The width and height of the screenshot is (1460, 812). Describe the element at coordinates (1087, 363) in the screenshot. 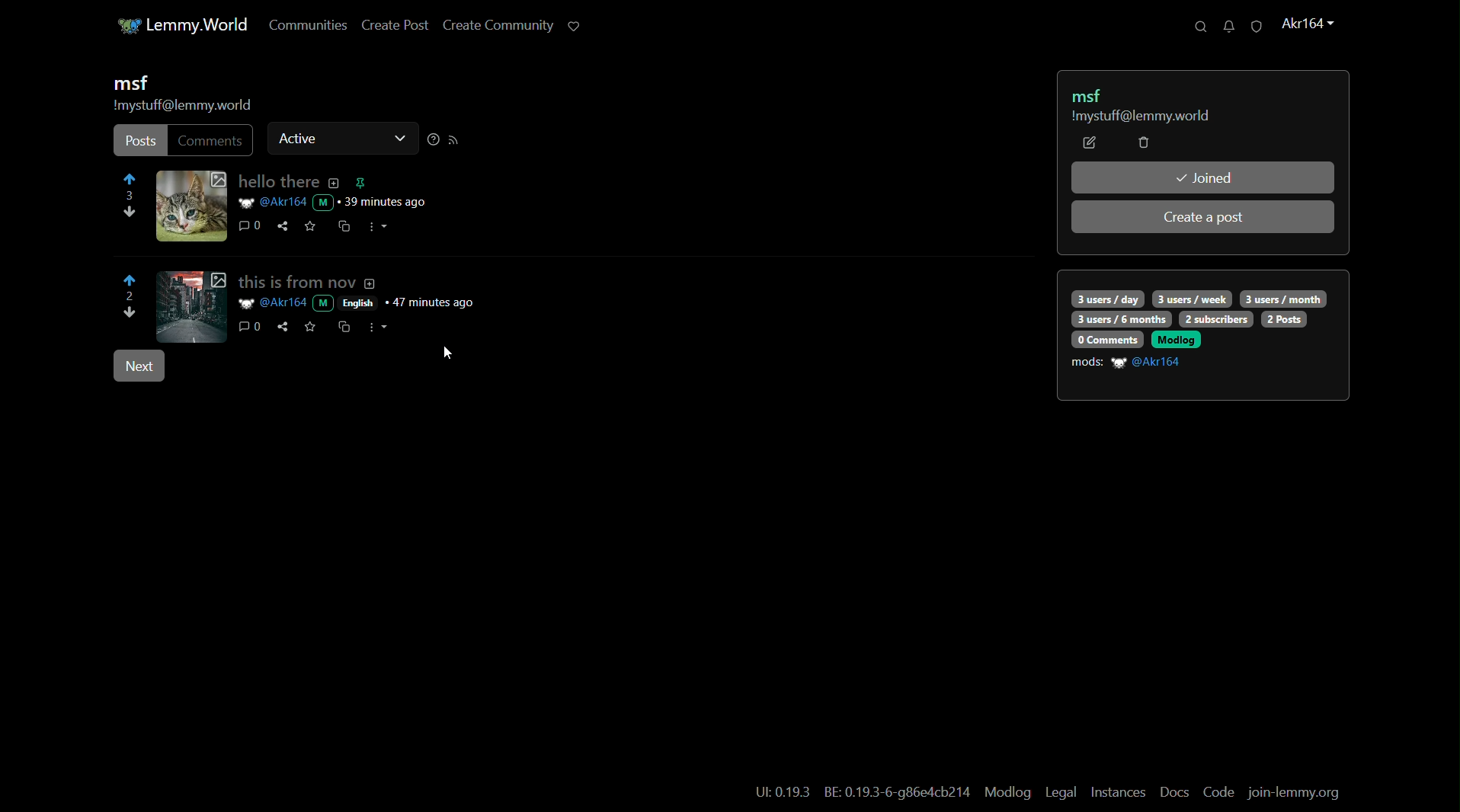

I see `mods` at that location.